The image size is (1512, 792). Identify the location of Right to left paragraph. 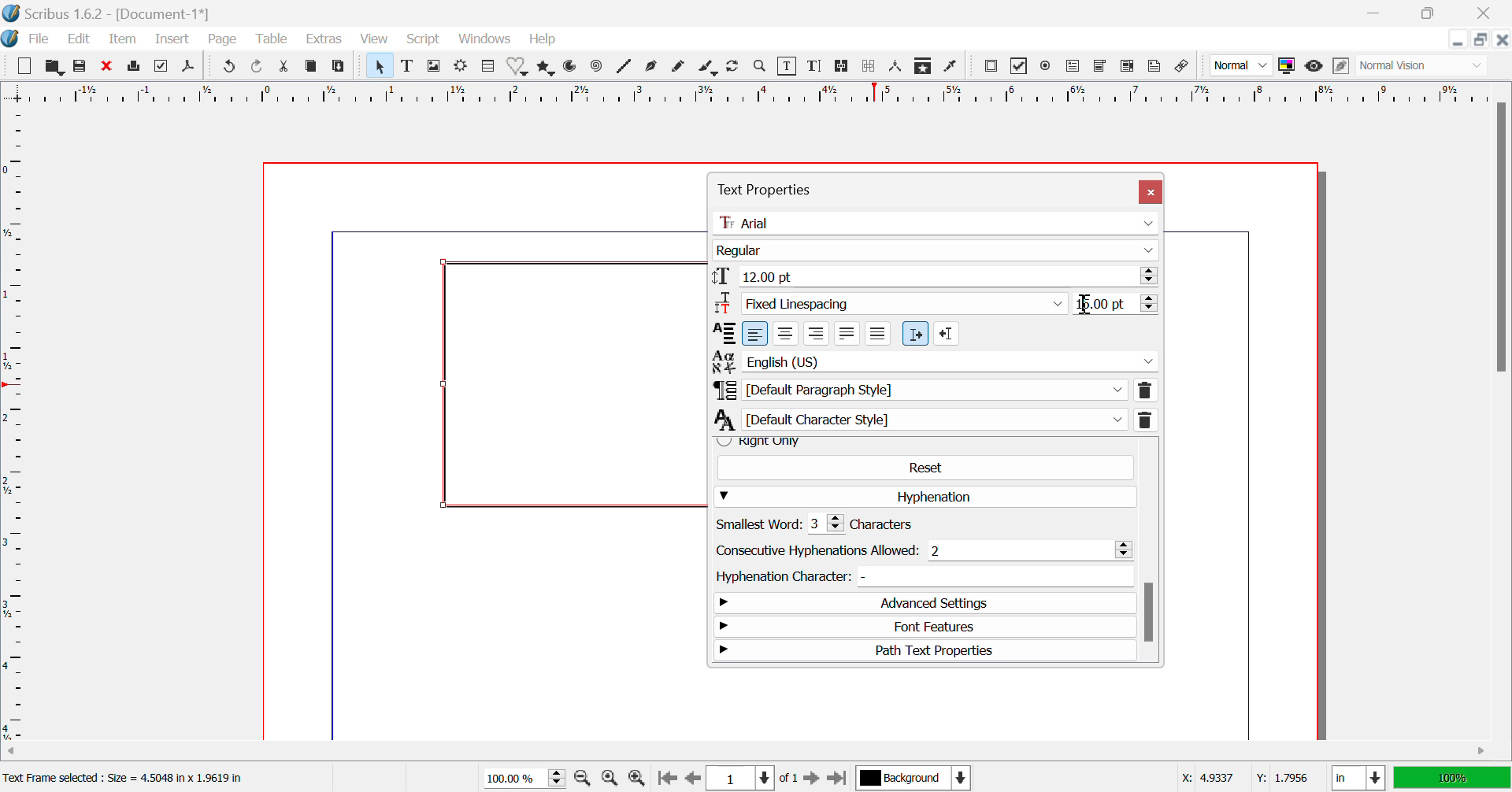
(947, 333).